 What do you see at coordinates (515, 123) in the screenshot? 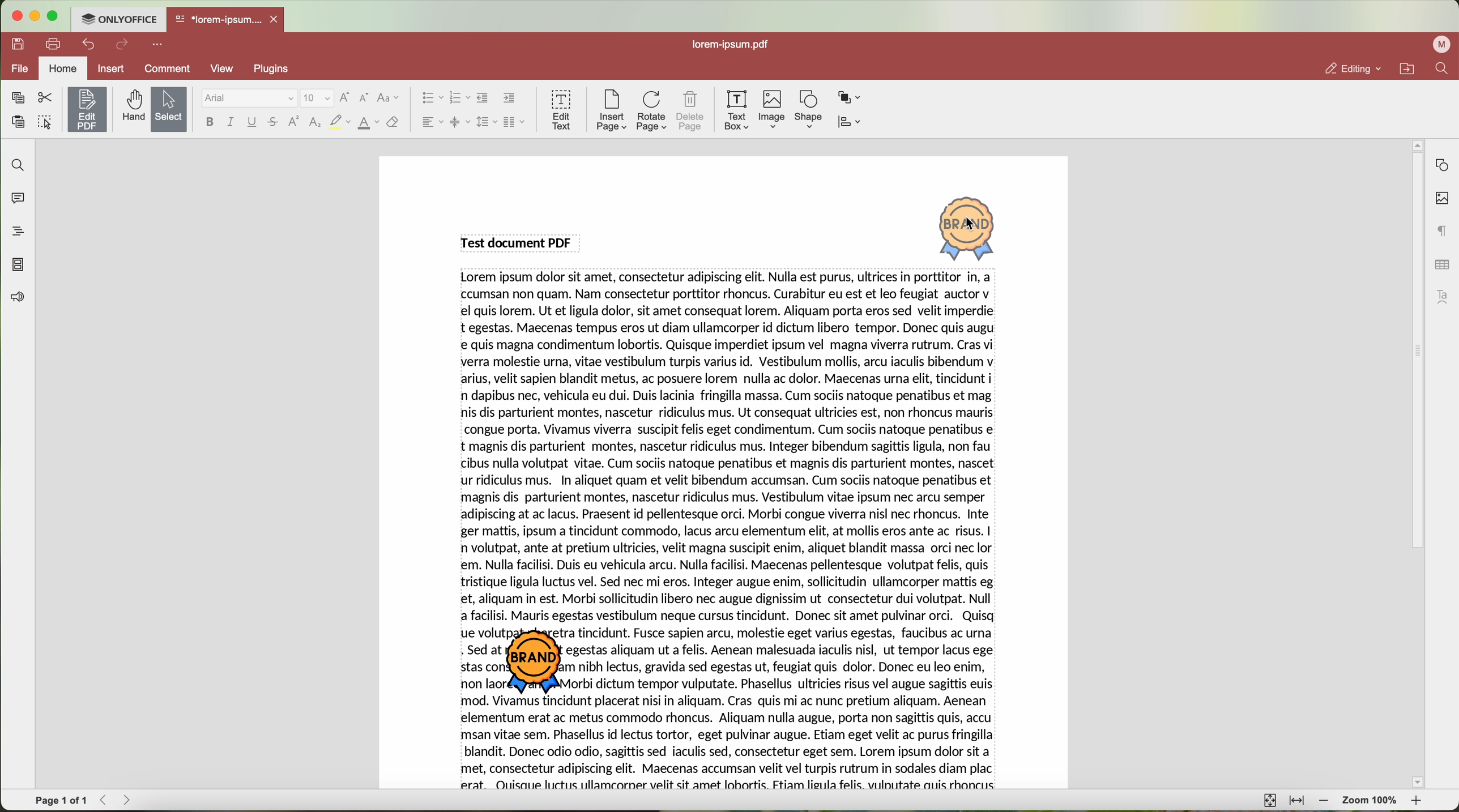
I see `insert columns` at bounding box center [515, 123].